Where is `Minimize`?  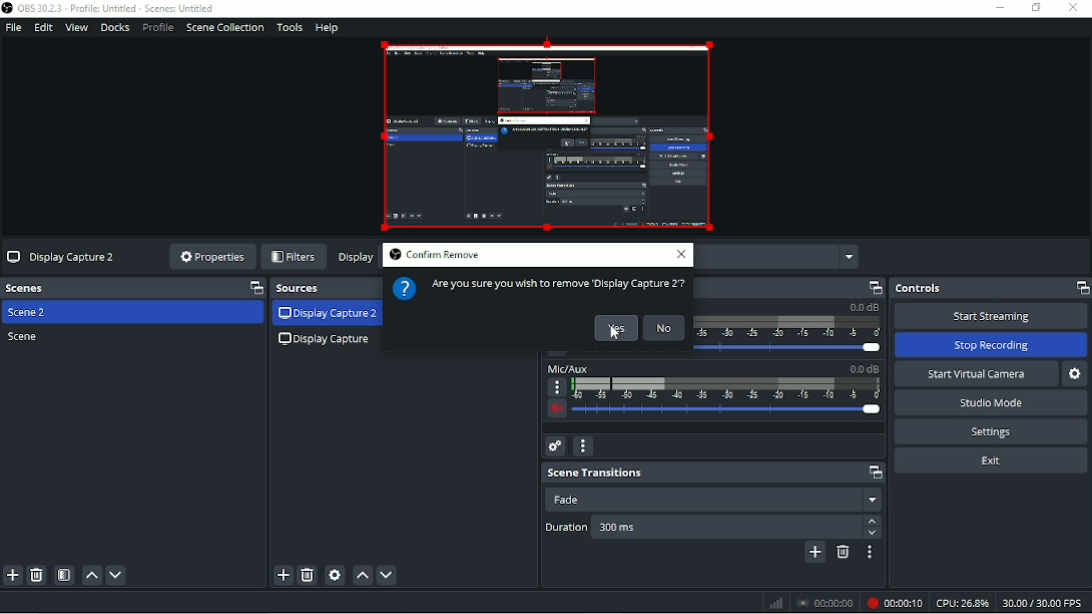
Minimize is located at coordinates (999, 8).